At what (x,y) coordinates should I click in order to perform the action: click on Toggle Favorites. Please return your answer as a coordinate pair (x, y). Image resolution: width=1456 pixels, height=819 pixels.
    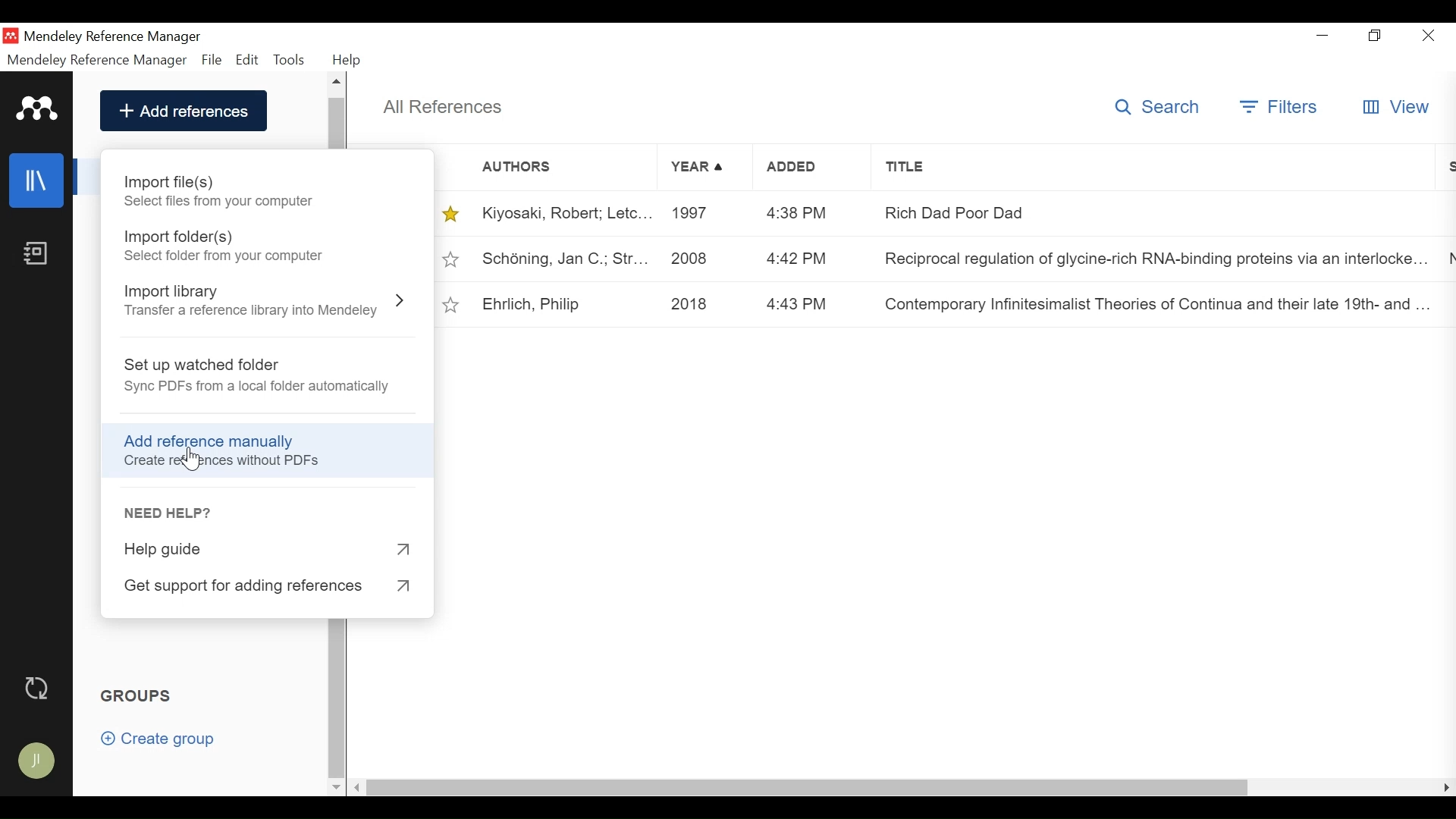
    Looking at the image, I should click on (452, 303).